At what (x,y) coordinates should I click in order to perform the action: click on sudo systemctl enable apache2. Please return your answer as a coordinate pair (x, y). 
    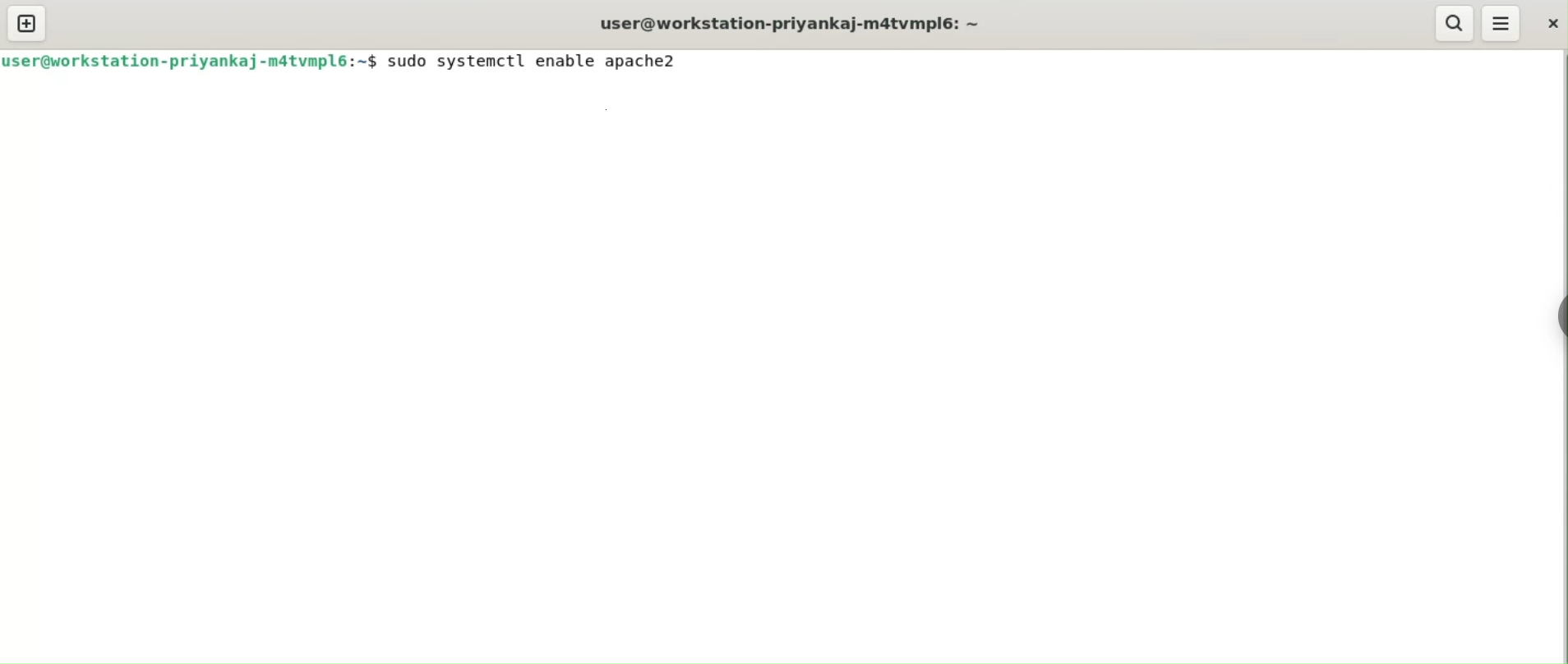
    Looking at the image, I should click on (532, 61).